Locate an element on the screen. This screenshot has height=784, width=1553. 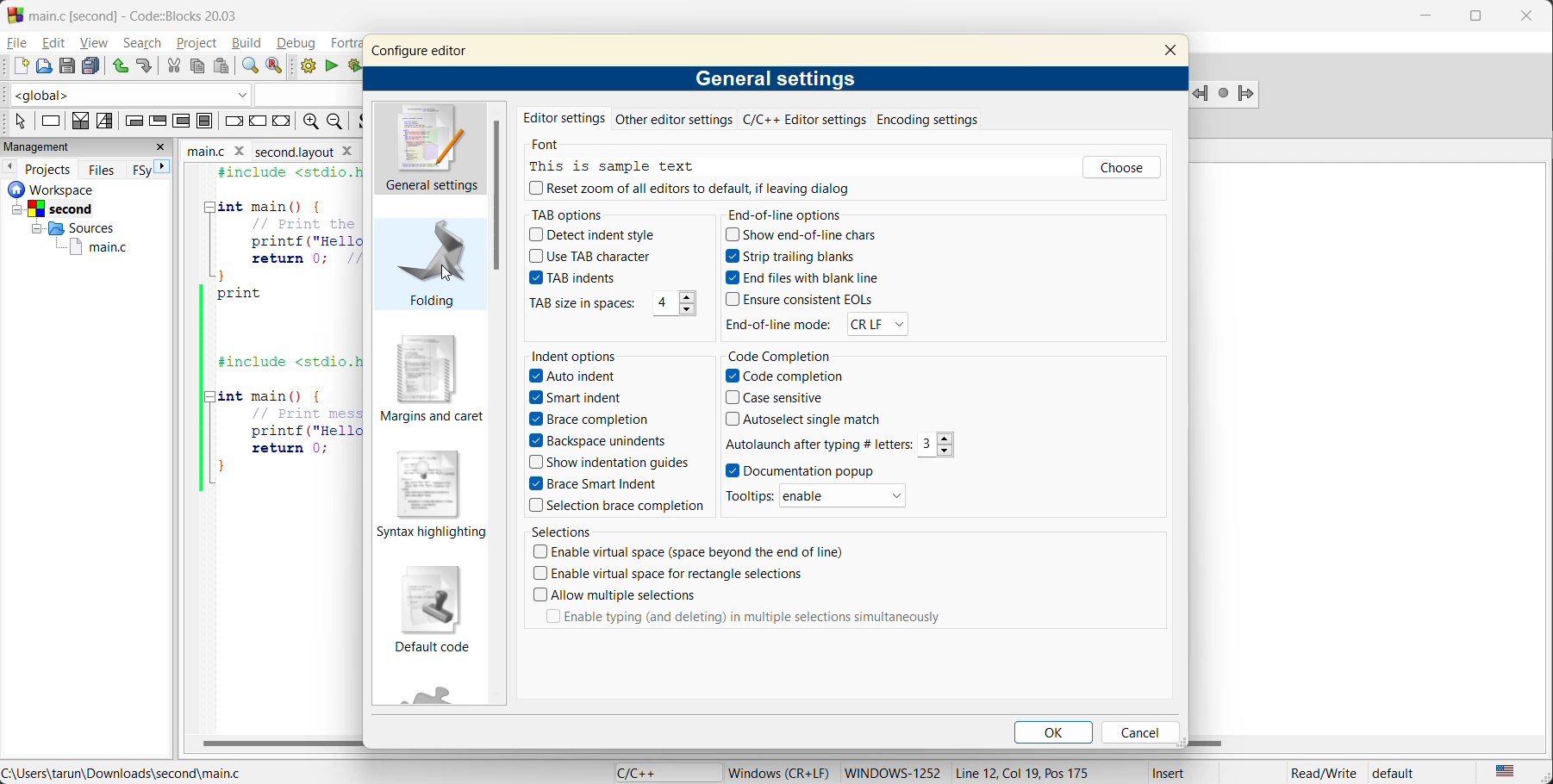
ok is located at coordinates (1057, 734).